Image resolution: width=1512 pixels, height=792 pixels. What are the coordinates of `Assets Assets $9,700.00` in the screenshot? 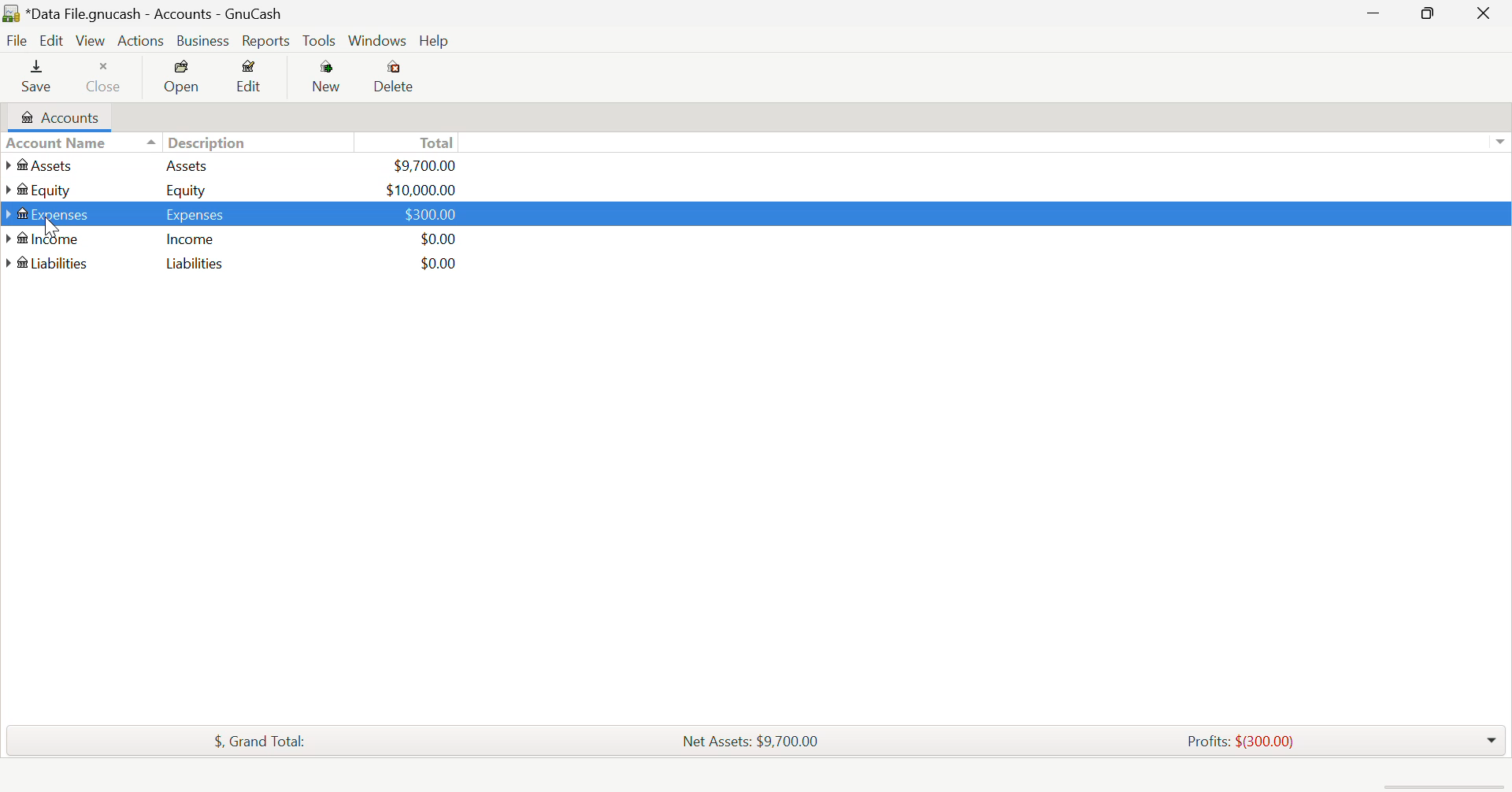 It's located at (231, 165).